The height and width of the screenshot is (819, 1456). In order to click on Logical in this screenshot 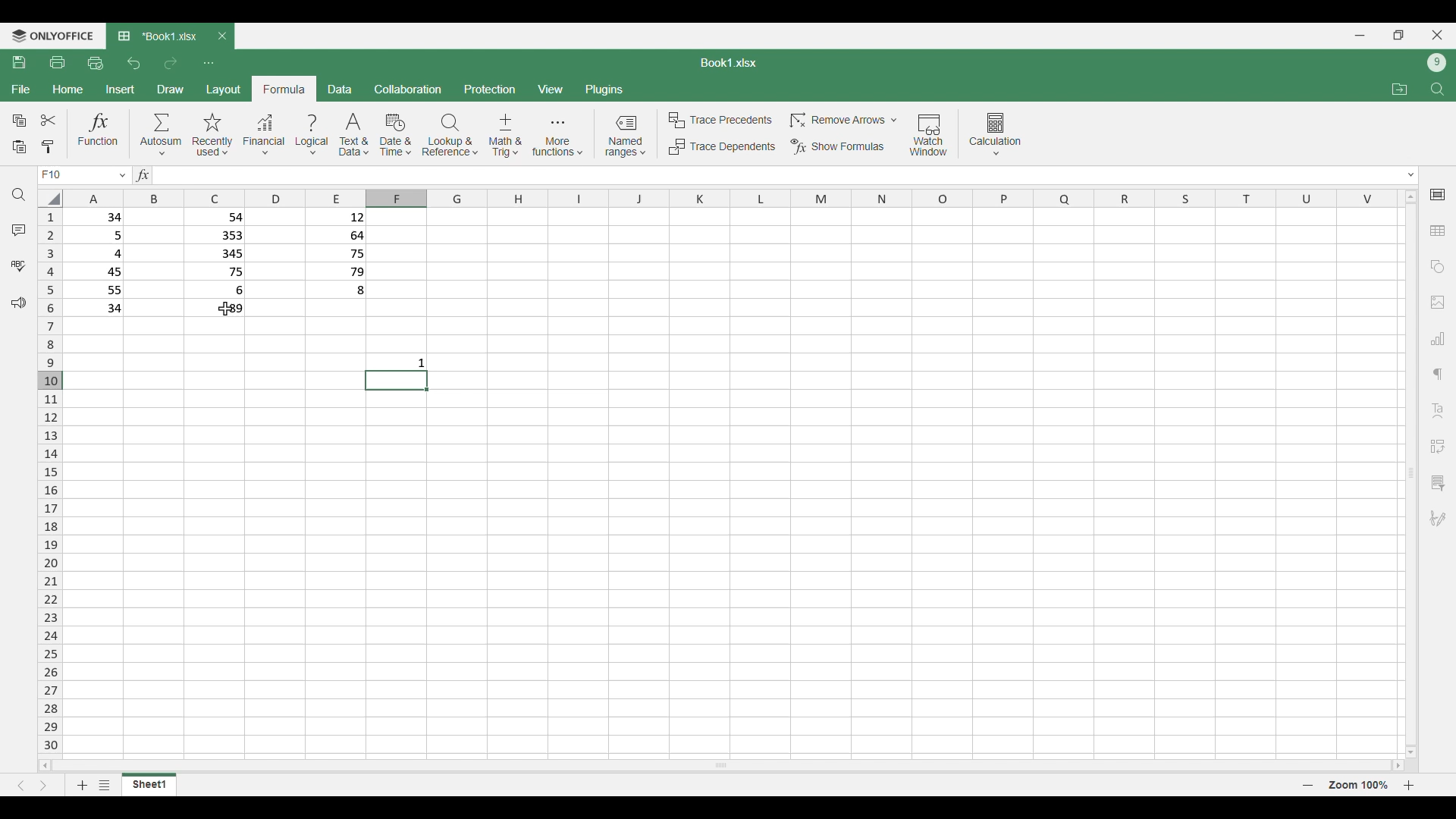, I will do `click(312, 135)`.